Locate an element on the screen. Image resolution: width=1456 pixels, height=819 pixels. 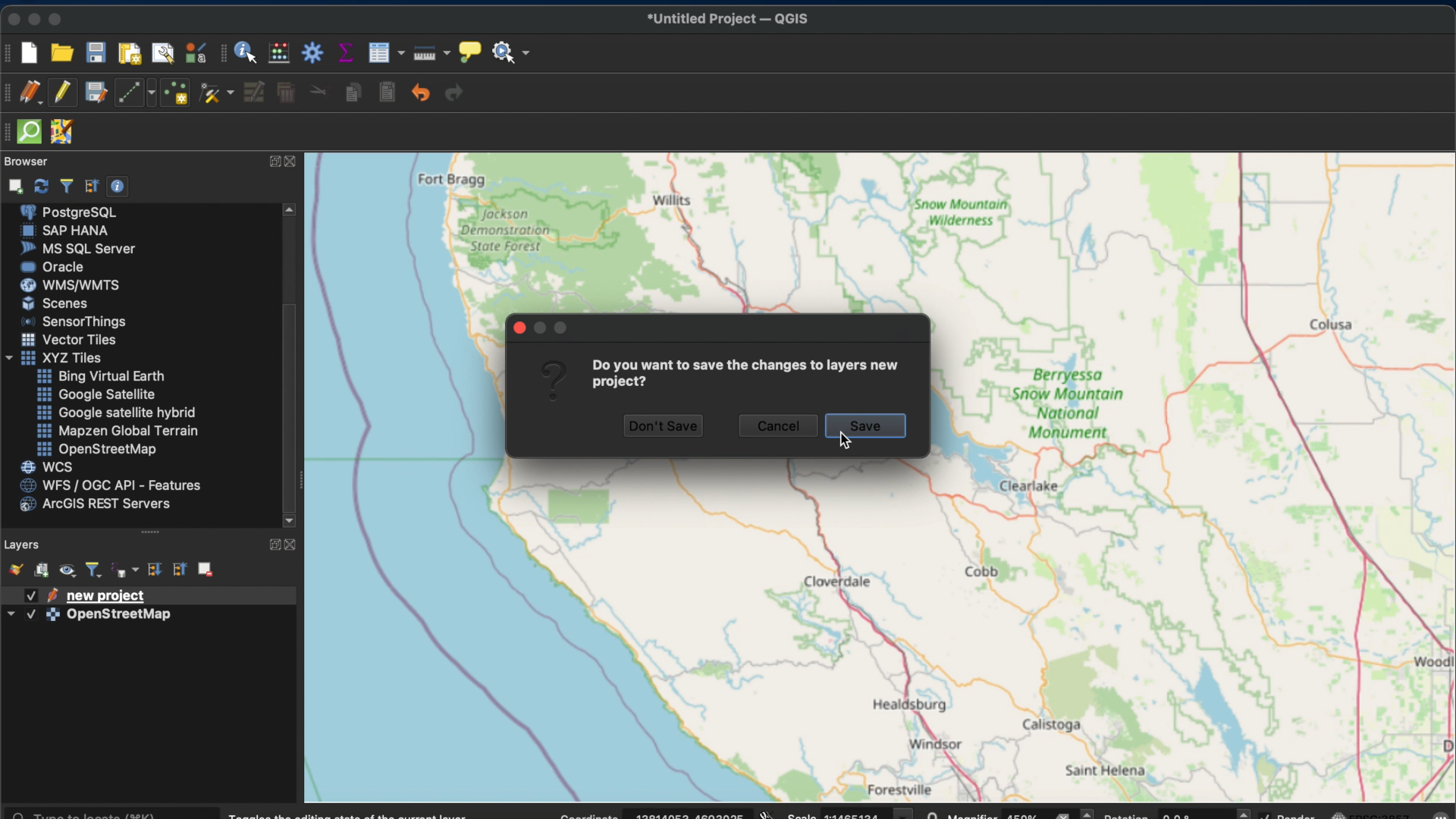
CONTRACT is located at coordinates (292, 162).